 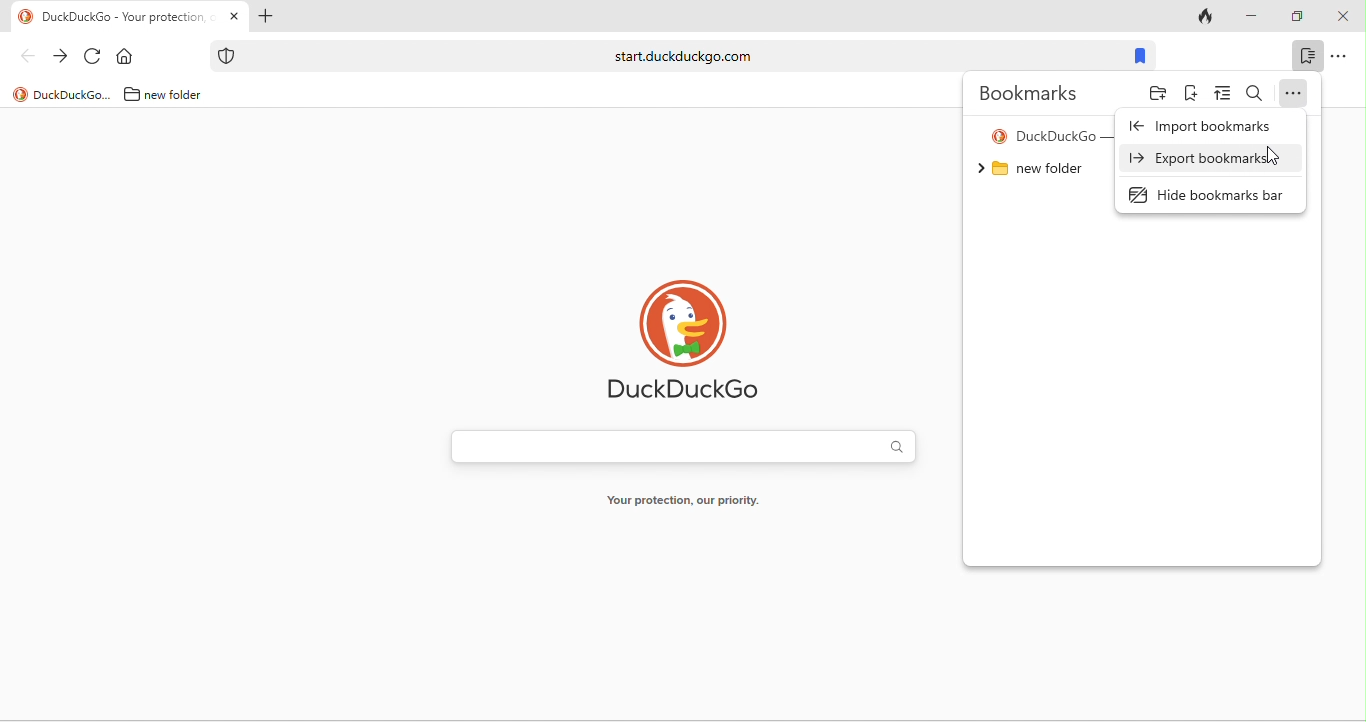 I want to click on search, so click(x=1254, y=93).